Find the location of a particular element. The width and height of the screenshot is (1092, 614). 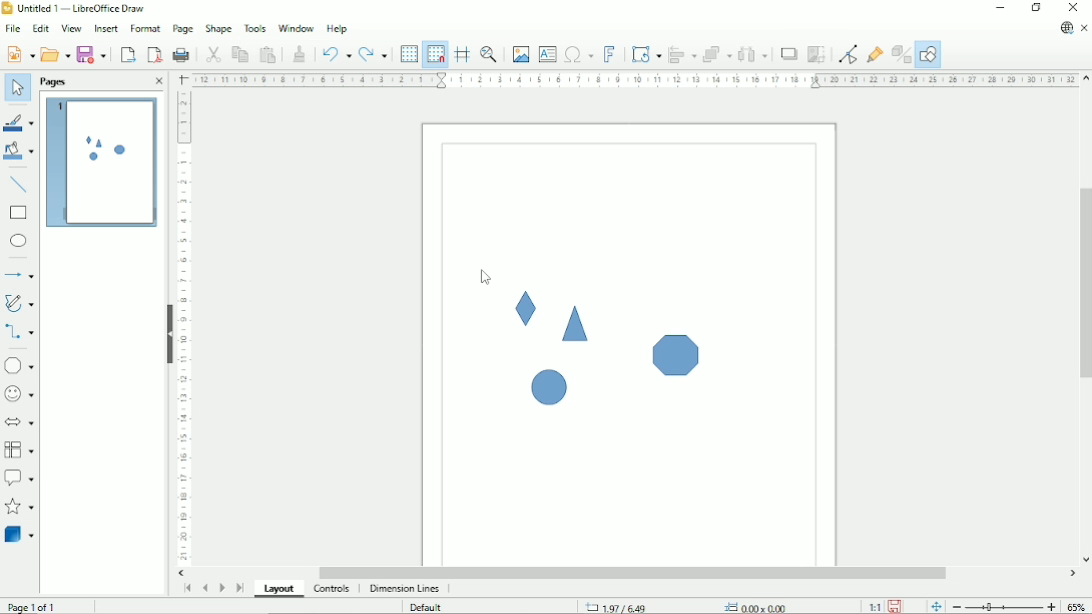

Connectors is located at coordinates (20, 333).